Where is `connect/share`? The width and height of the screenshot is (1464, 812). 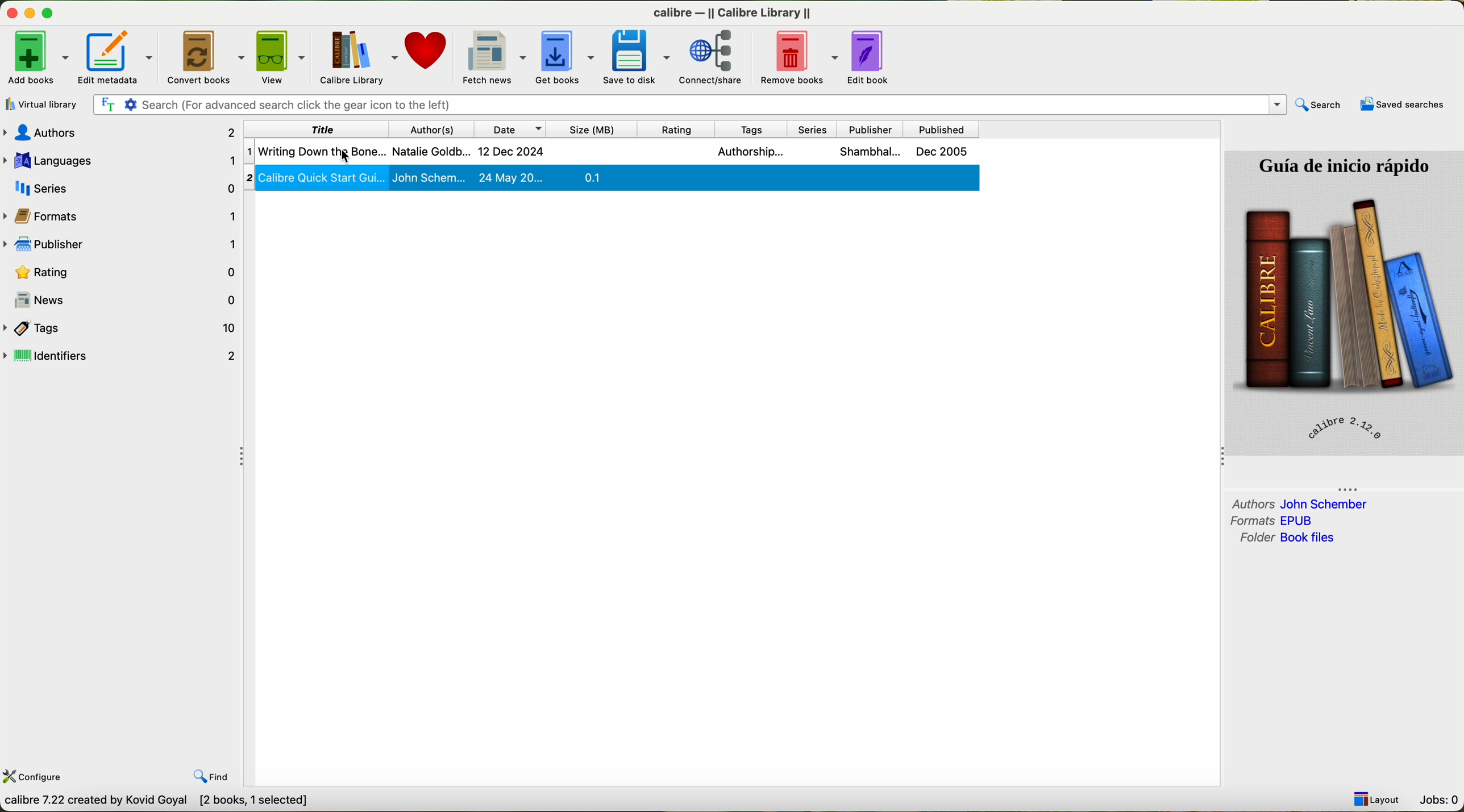 connect/share is located at coordinates (710, 59).